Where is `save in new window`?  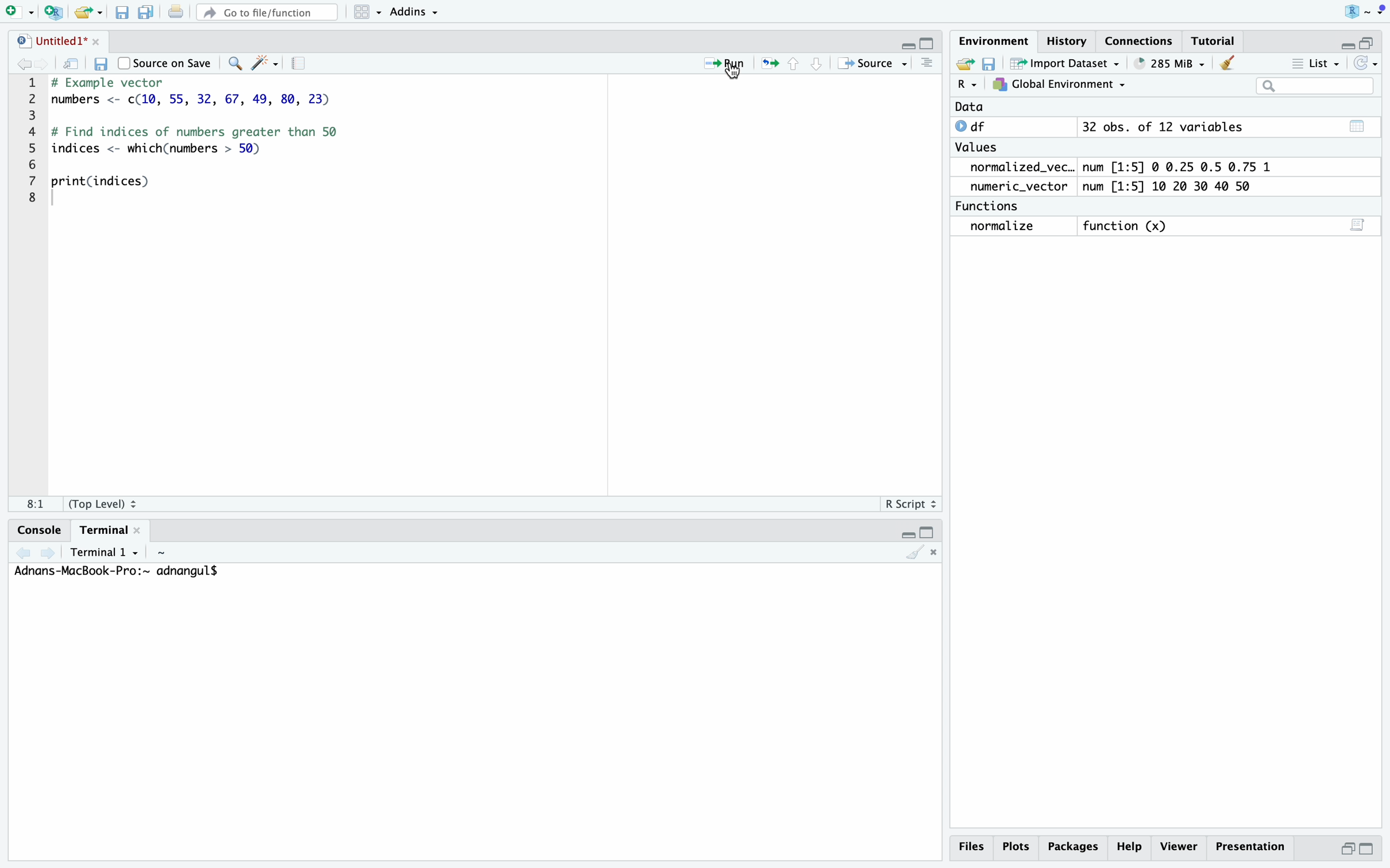
save in new window is located at coordinates (72, 64).